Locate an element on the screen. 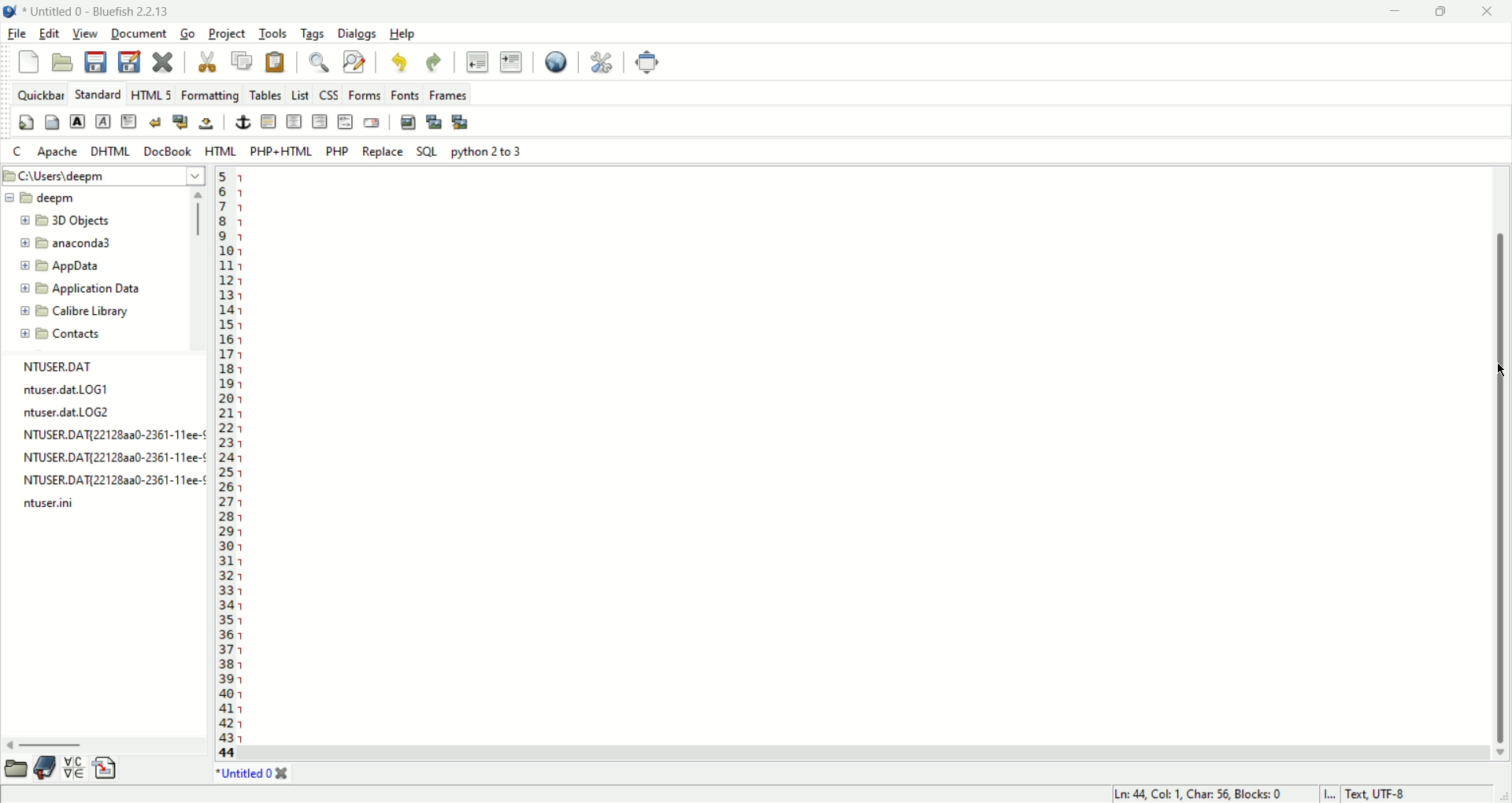 This screenshot has height=803, width=1512. maximize is located at coordinates (1444, 11).